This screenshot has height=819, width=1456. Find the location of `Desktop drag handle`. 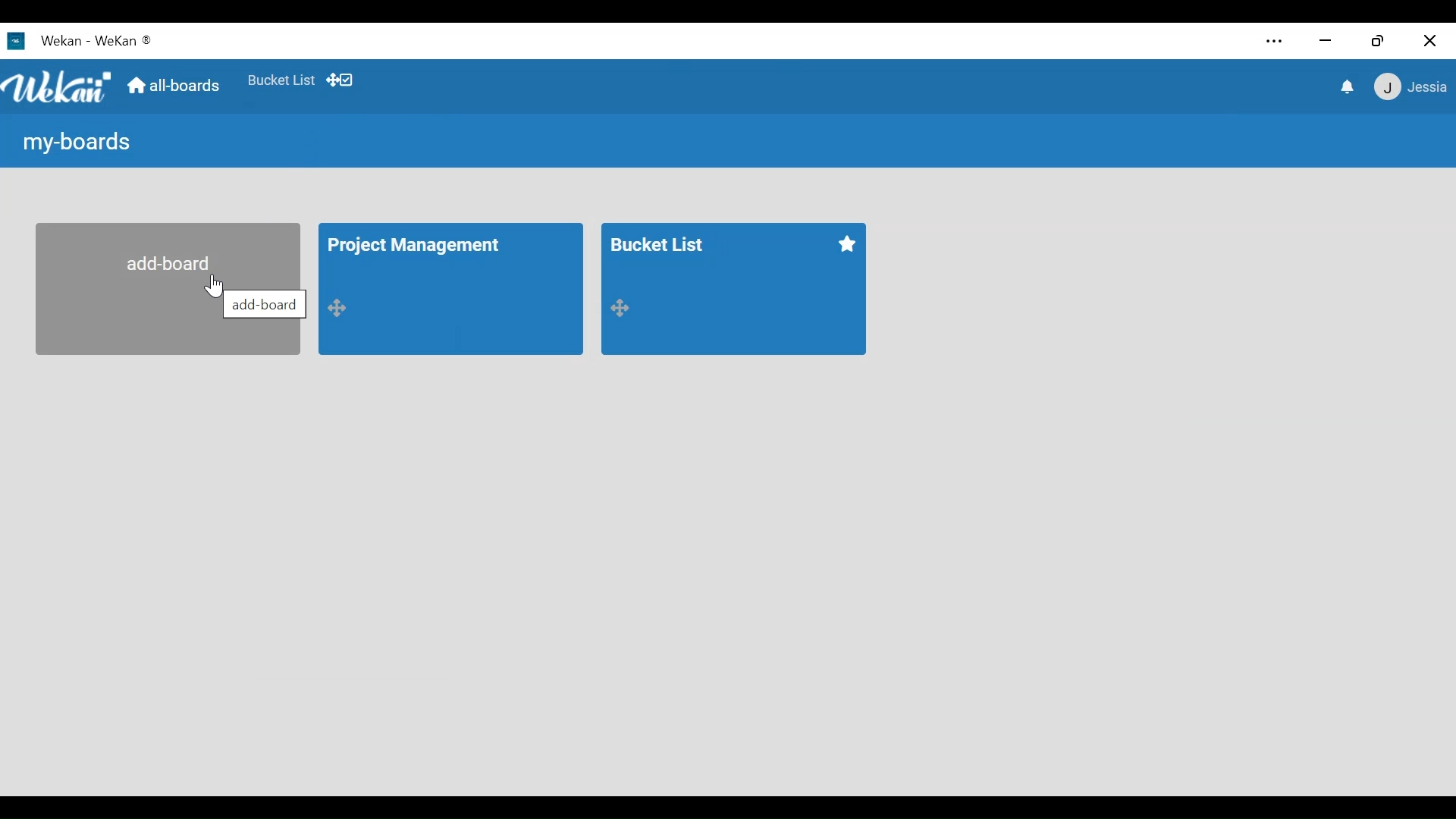

Desktop drag handle is located at coordinates (340, 306).